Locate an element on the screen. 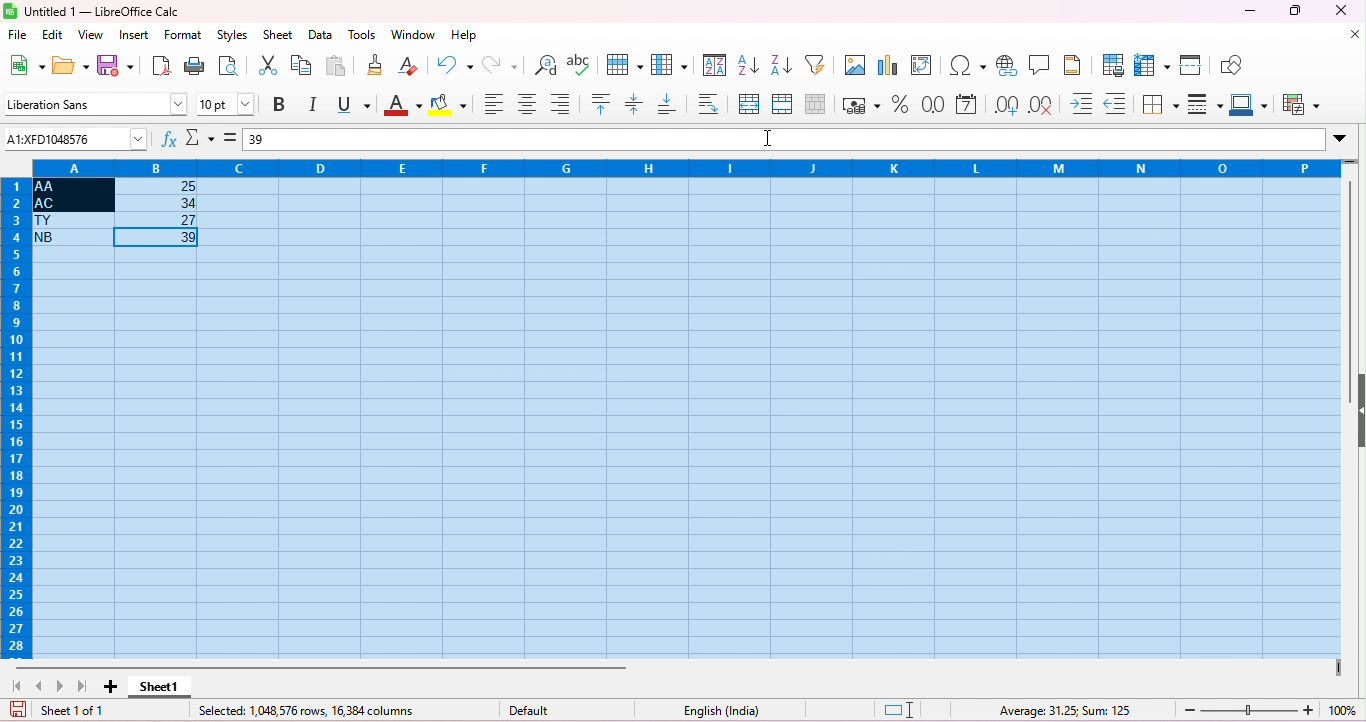  decrease indent is located at coordinates (1115, 104).